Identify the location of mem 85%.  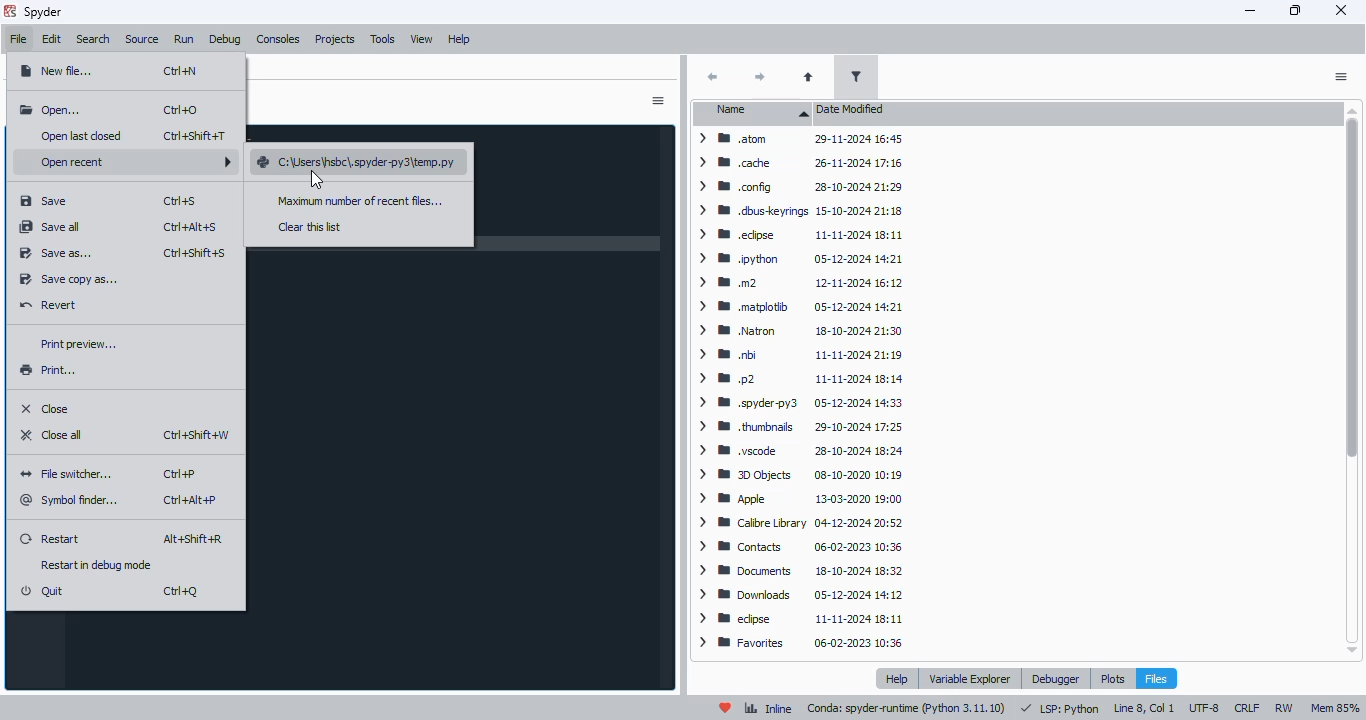
(1335, 708).